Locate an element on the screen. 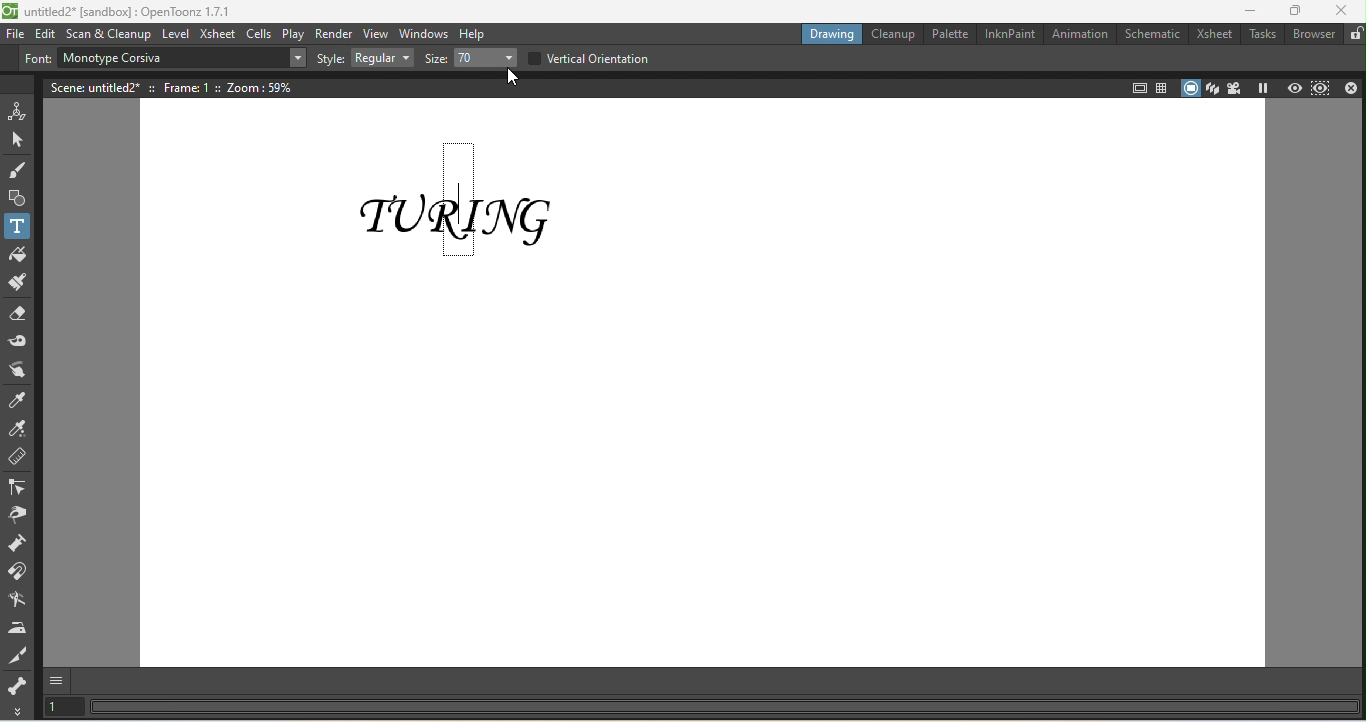 The height and width of the screenshot is (722, 1366). Drop down is located at coordinates (483, 59).